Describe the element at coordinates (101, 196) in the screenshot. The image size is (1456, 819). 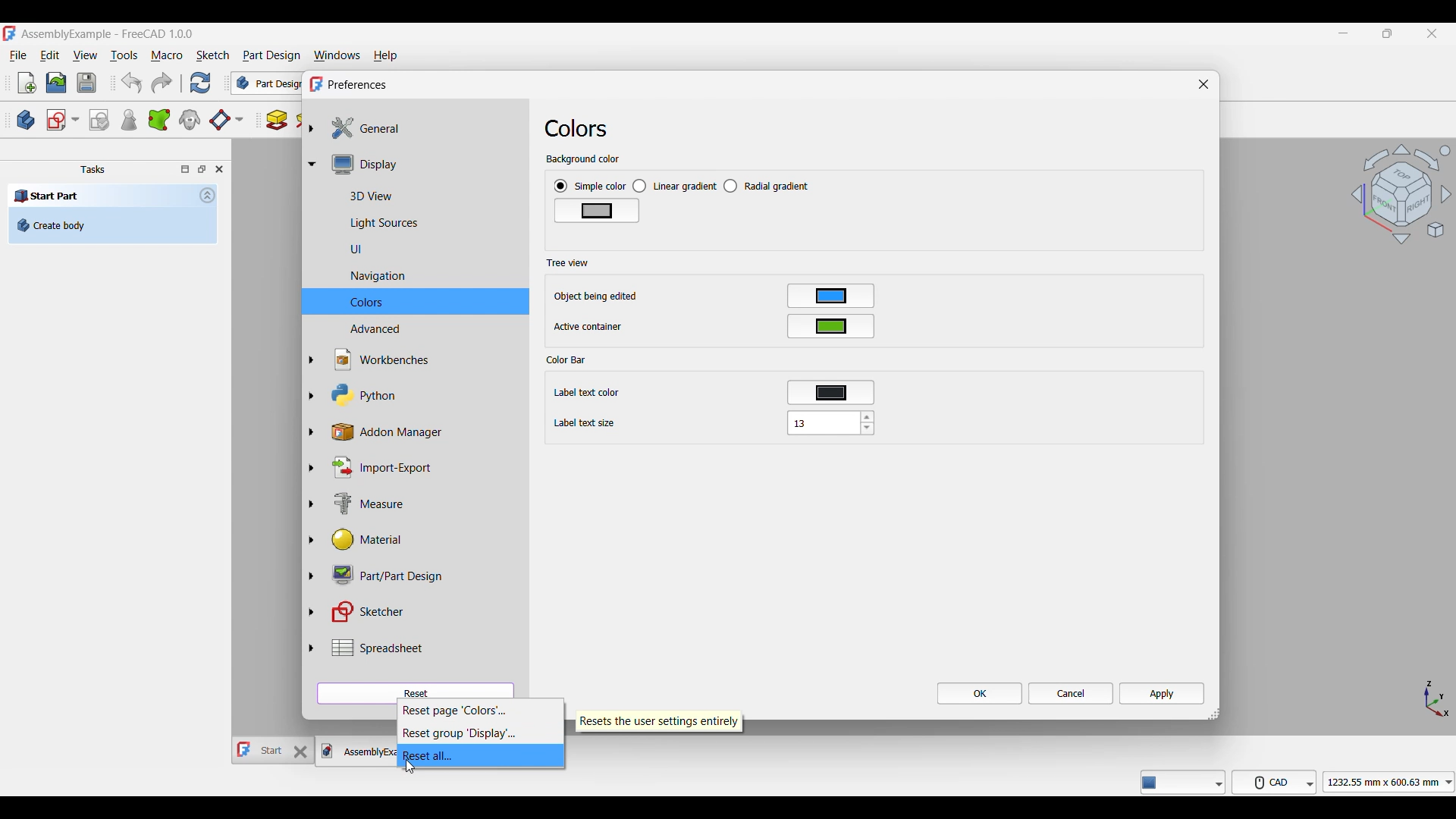
I see `Start Part - section title` at that location.